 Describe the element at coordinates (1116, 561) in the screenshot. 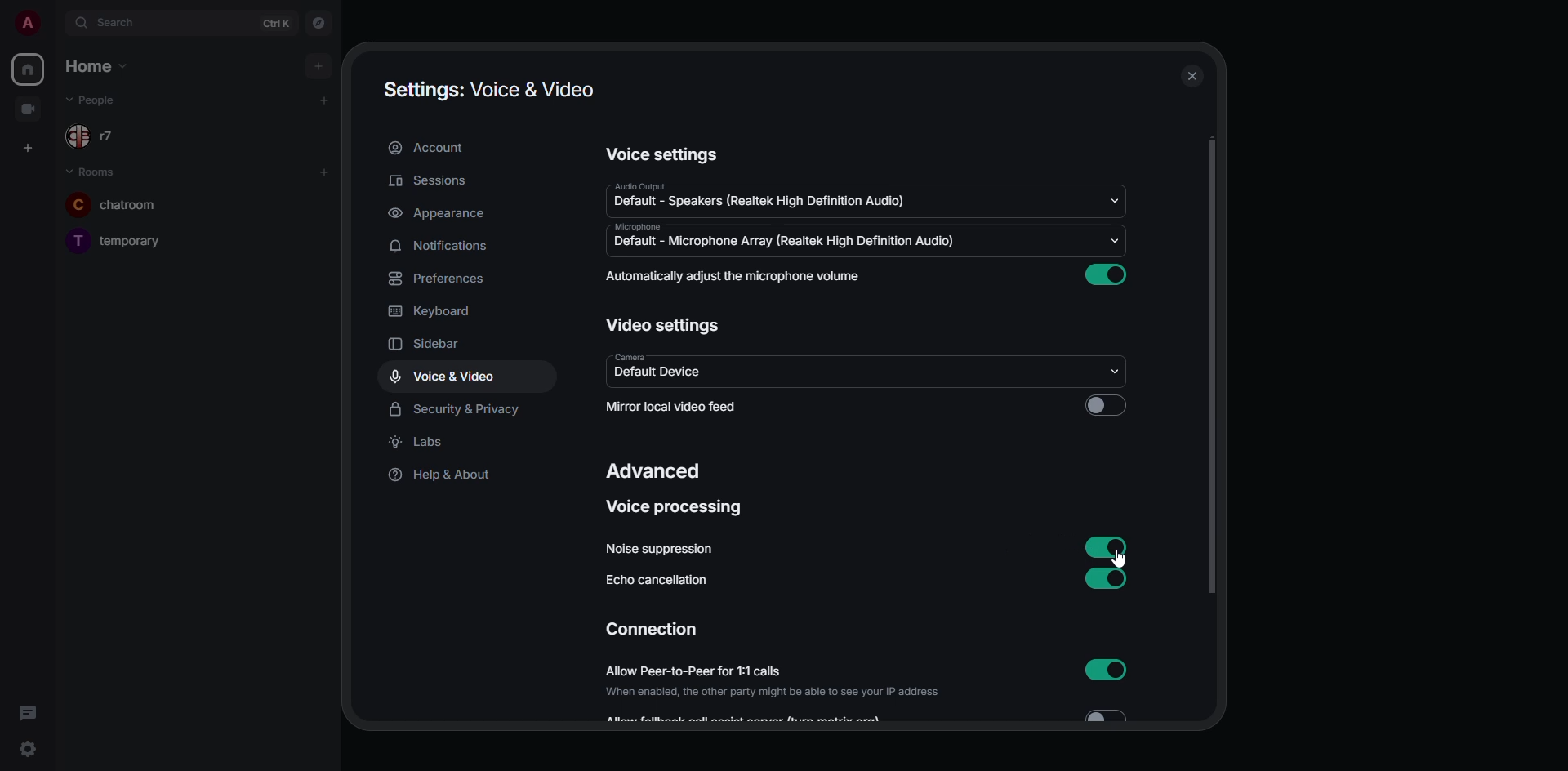

I see `cursor` at that location.